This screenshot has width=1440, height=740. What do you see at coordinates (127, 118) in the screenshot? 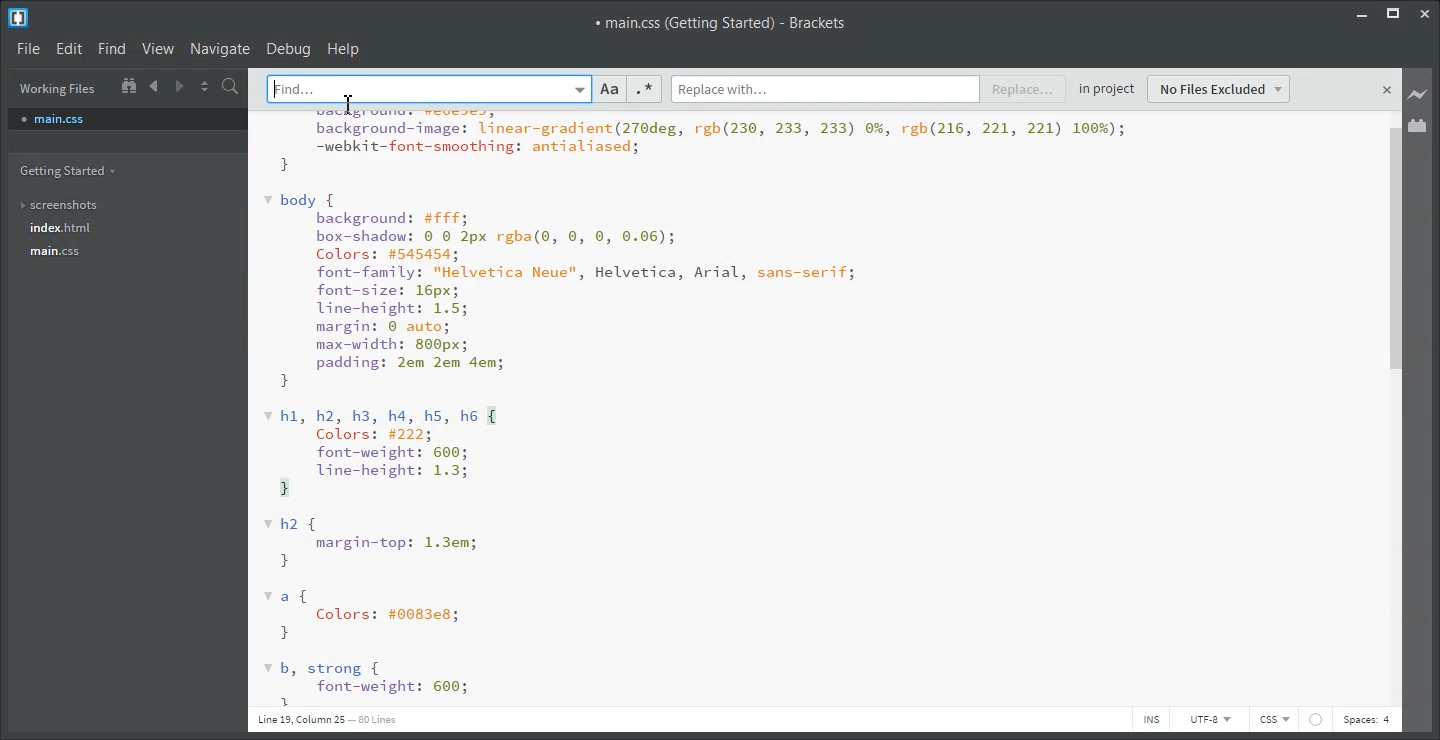
I see `main.css` at bounding box center [127, 118].